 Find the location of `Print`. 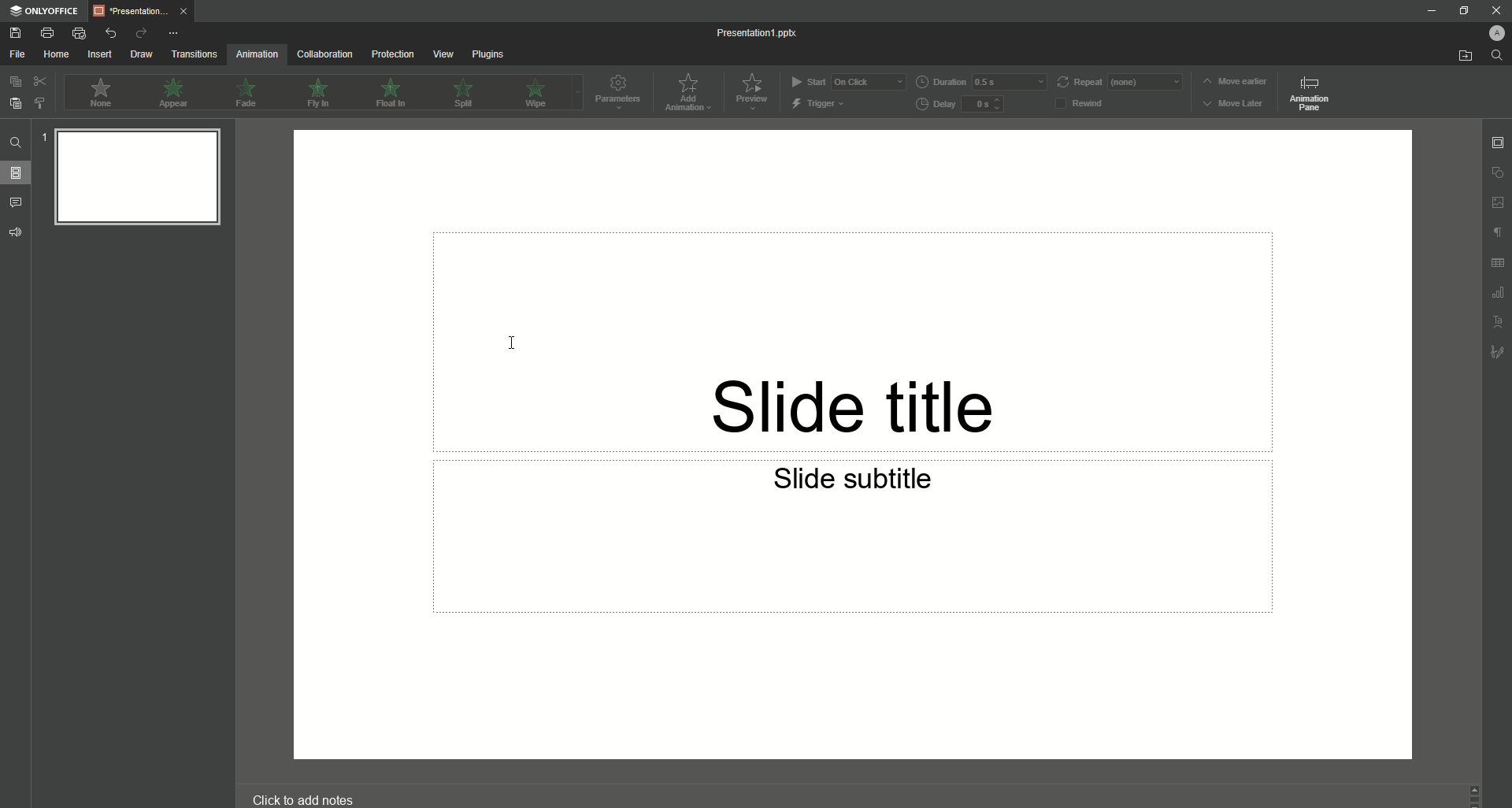

Print is located at coordinates (47, 32).